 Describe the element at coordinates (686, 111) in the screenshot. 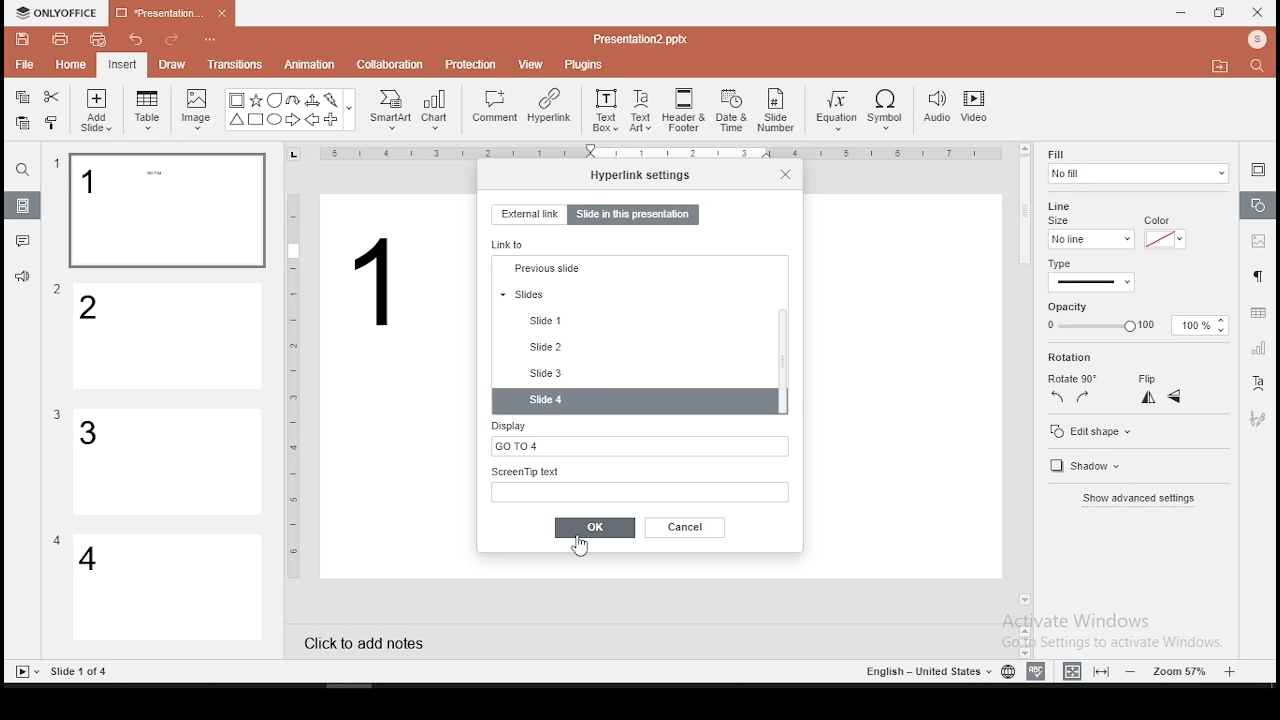

I see `header and footer` at that location.